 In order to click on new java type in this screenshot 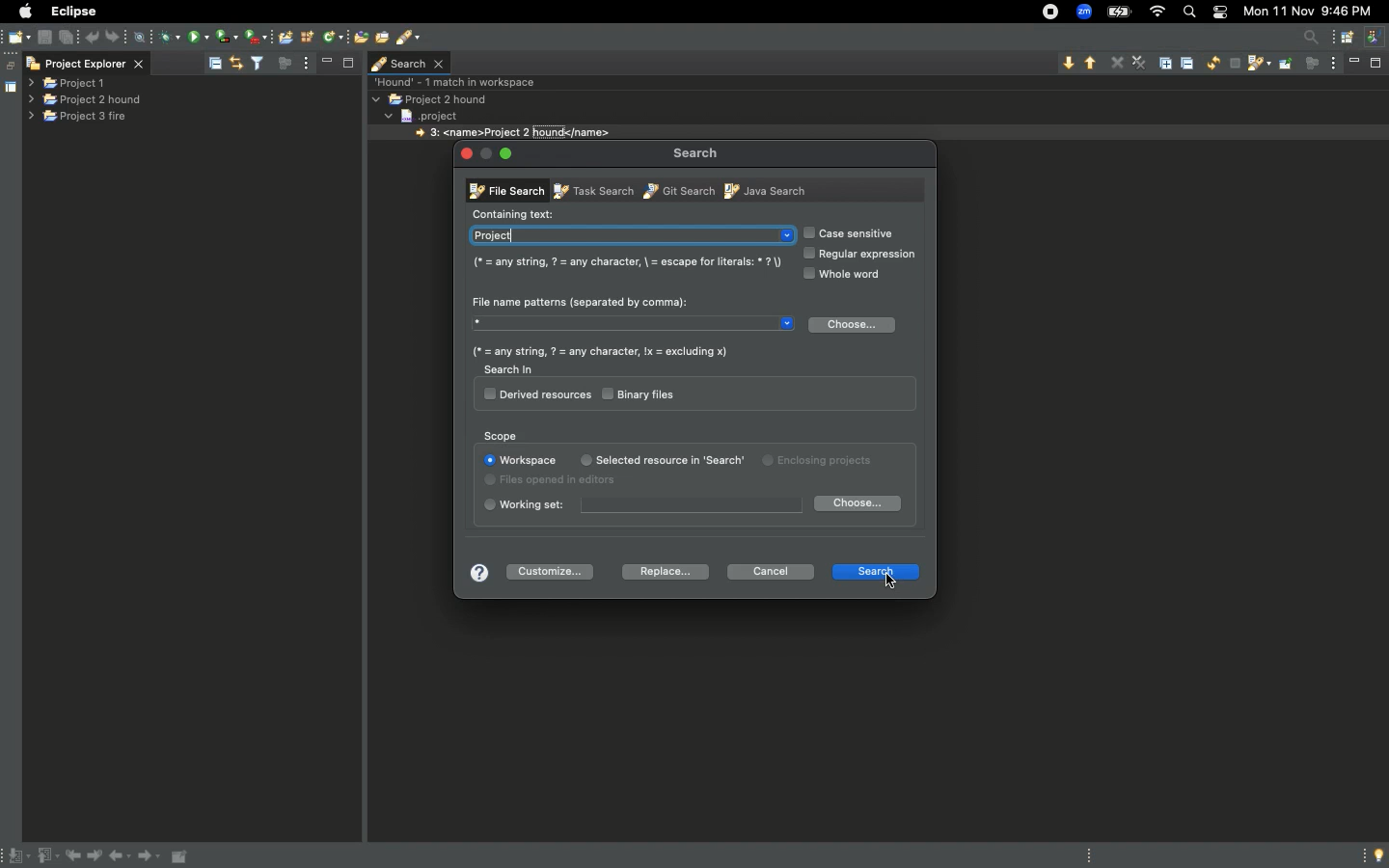, I will do `click(308, 37)`.